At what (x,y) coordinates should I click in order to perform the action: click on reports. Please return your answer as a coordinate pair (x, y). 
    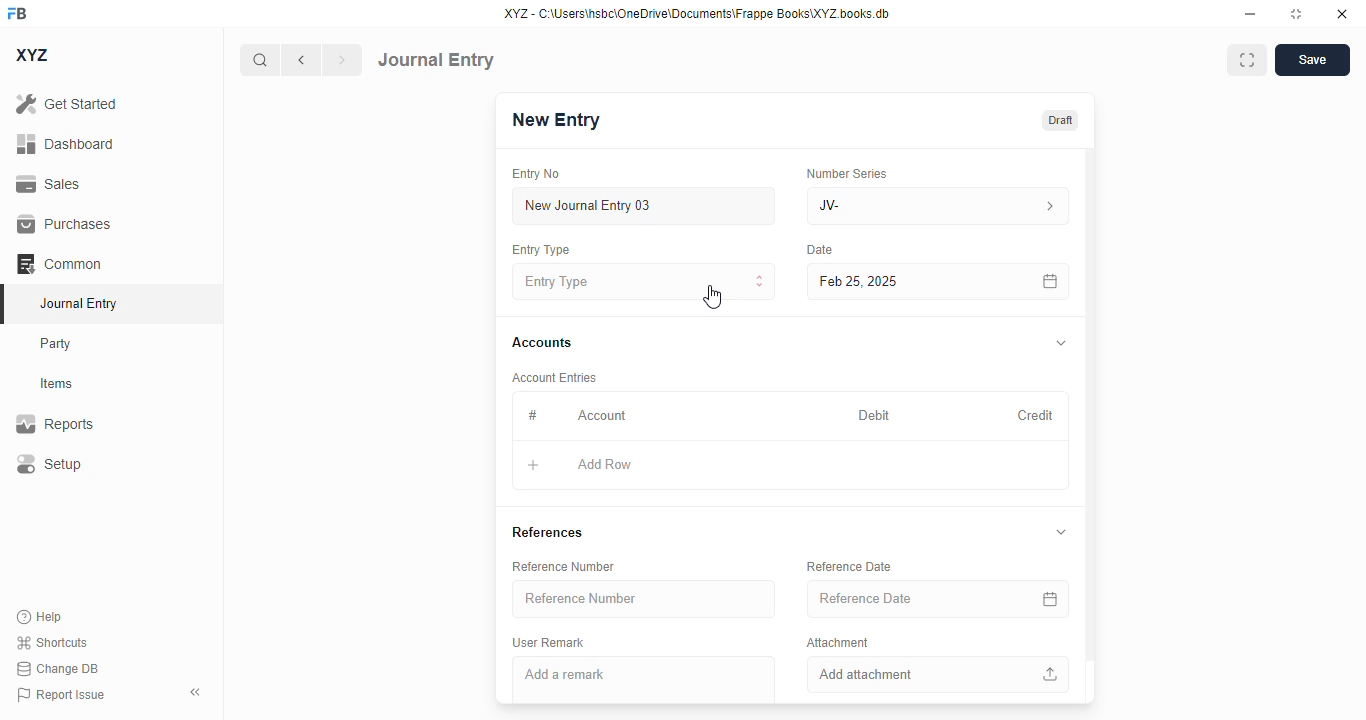
    Looking at the image, I should click on (55, 423).